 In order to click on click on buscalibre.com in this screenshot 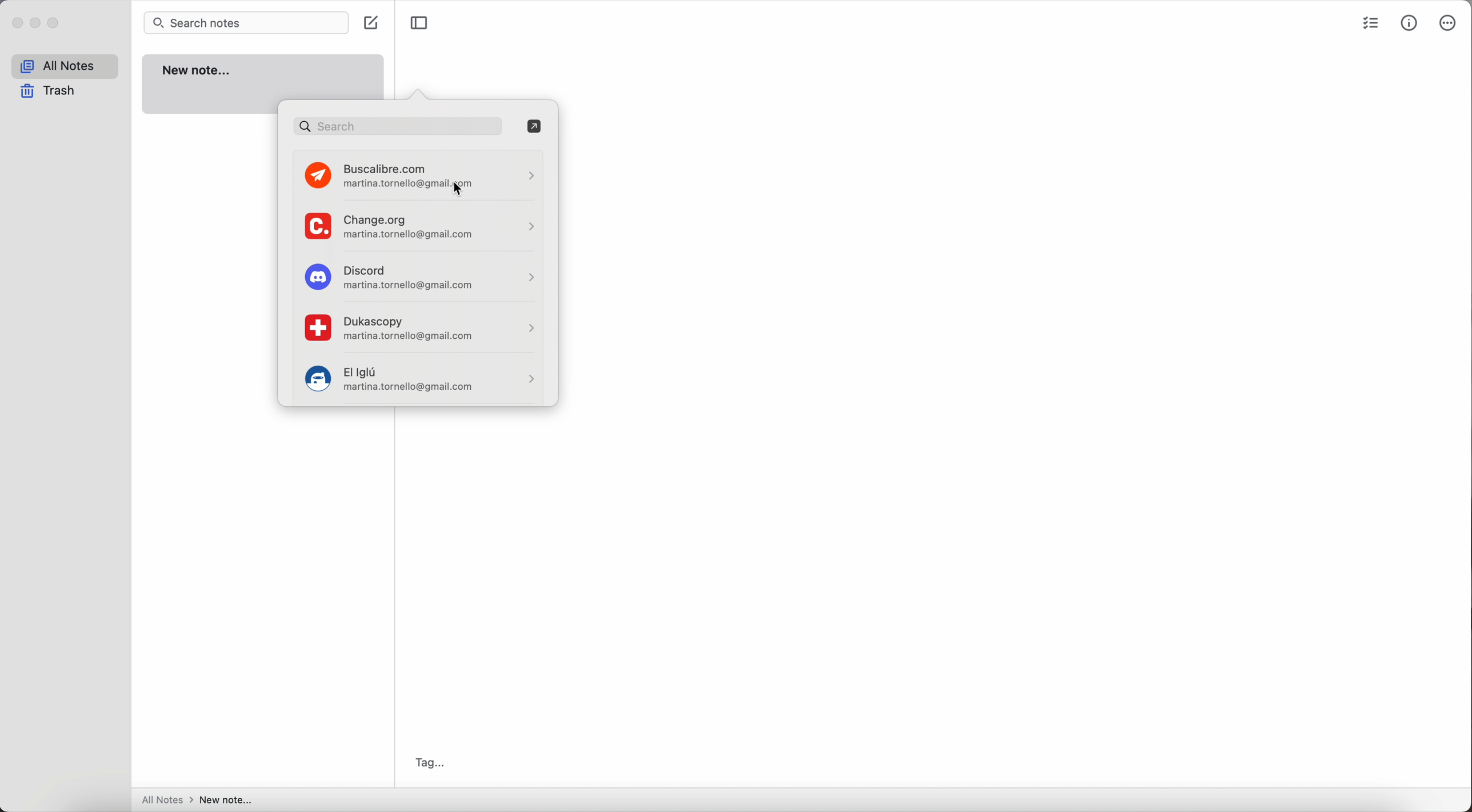, I will do `click(419, 175)`.